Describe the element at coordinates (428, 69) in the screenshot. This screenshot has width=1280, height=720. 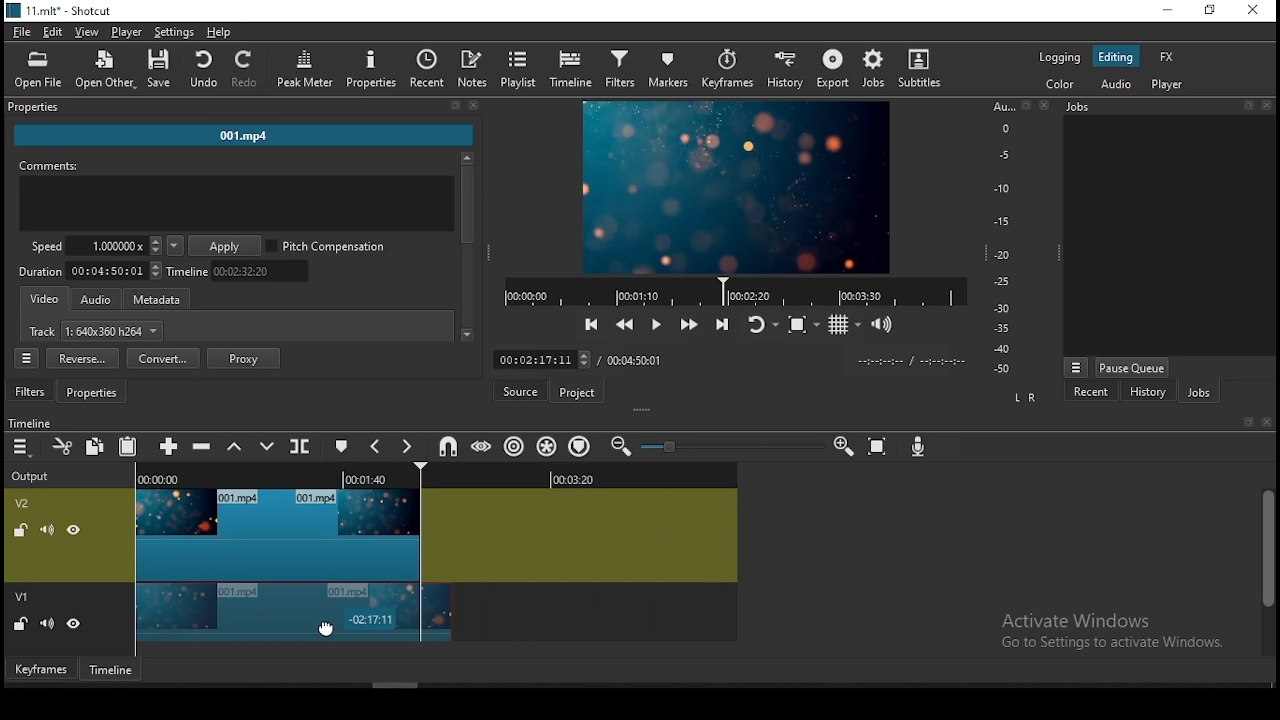
I see `recent` at that location.